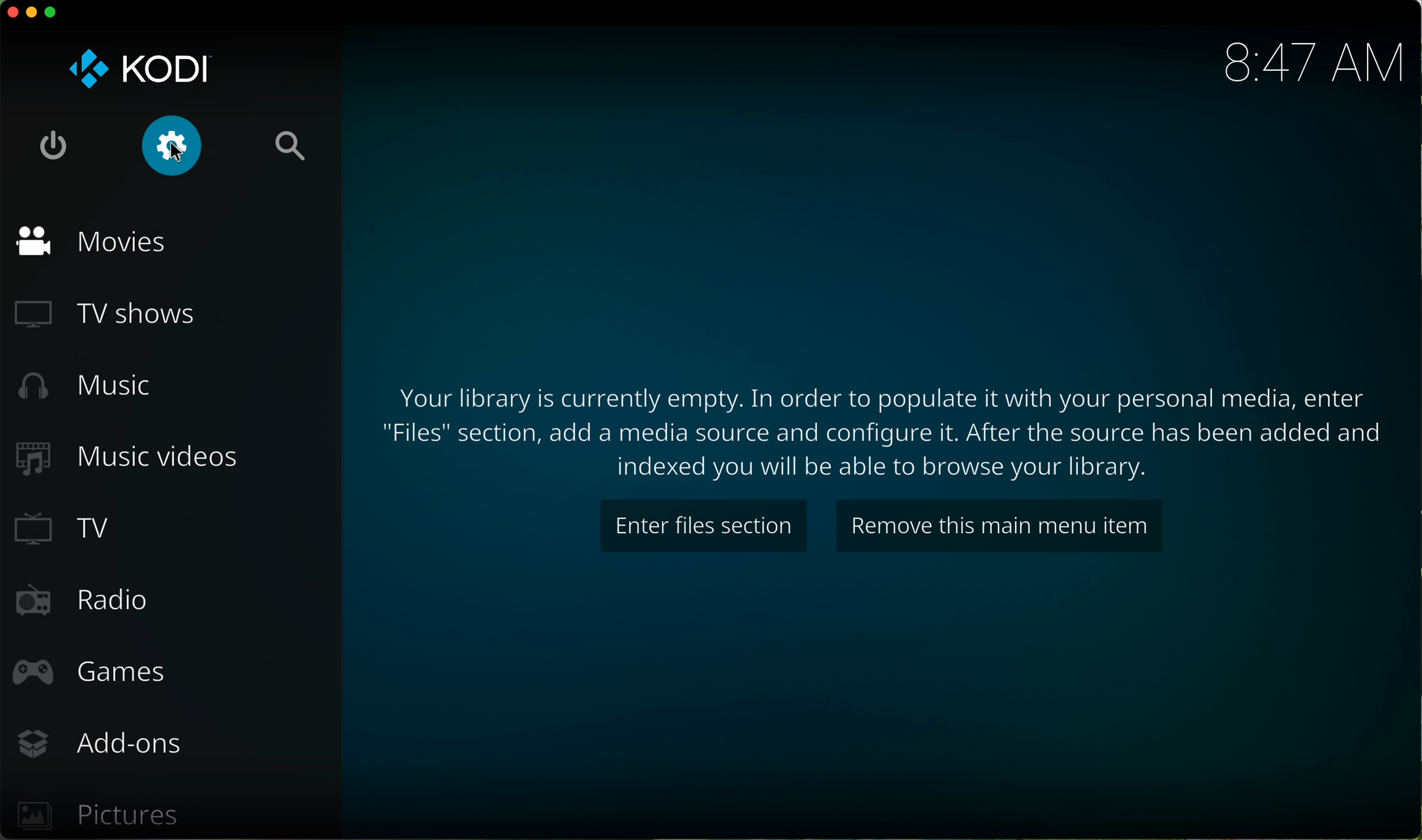  I want to click on games, so click(92, 670).